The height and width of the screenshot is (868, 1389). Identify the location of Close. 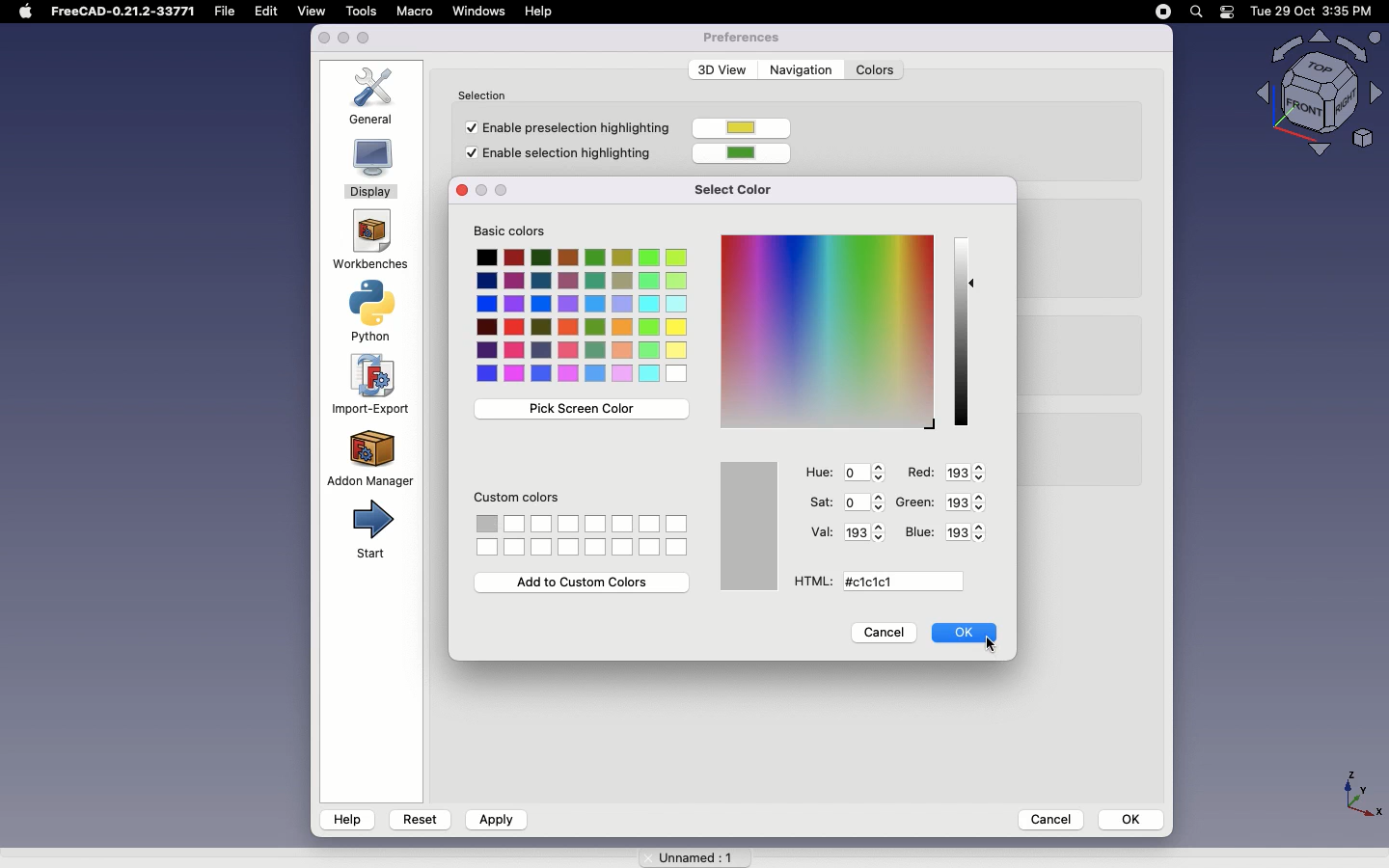
(459, 191).